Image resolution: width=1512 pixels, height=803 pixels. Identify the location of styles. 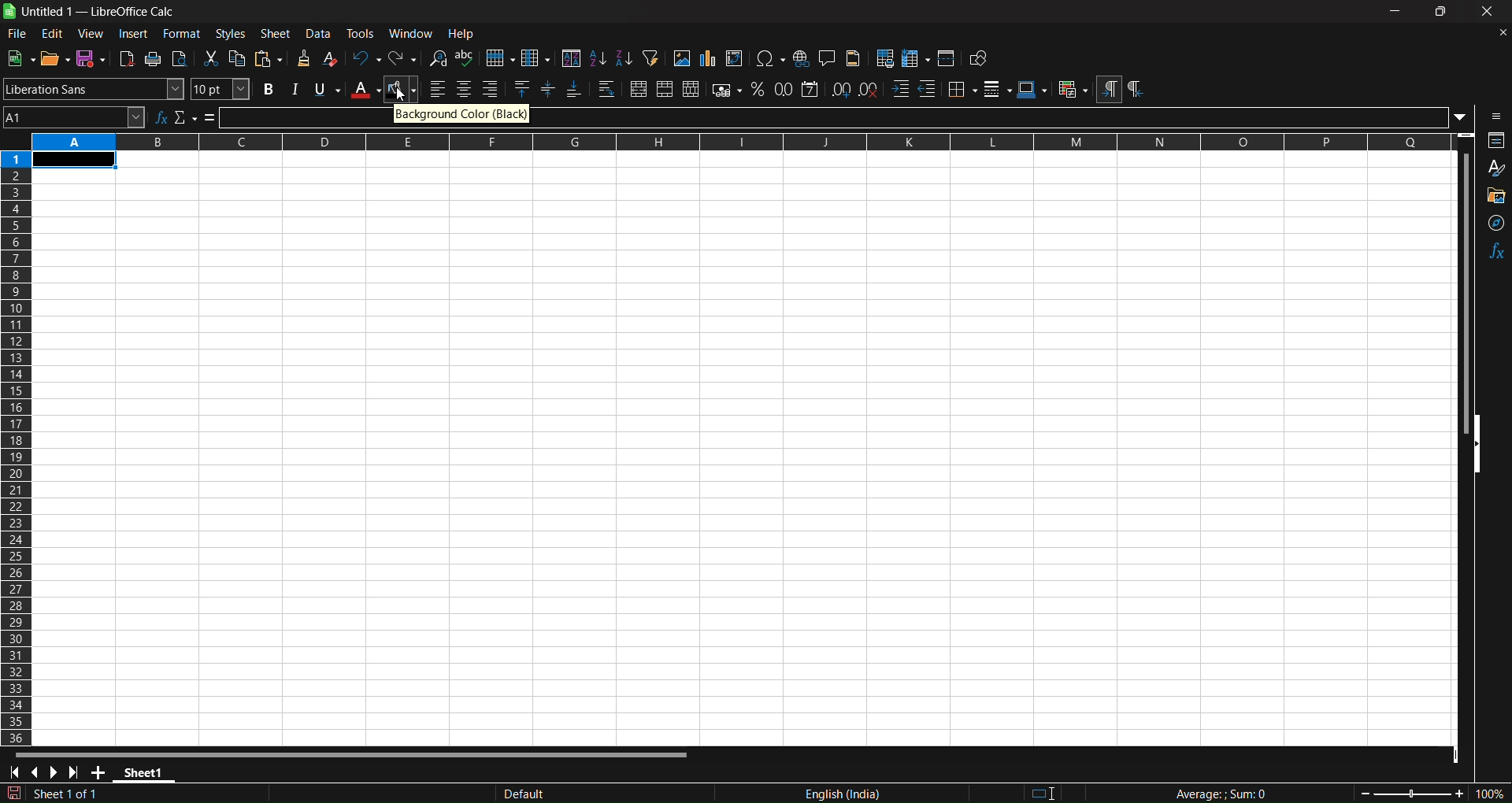
(1494, 165).